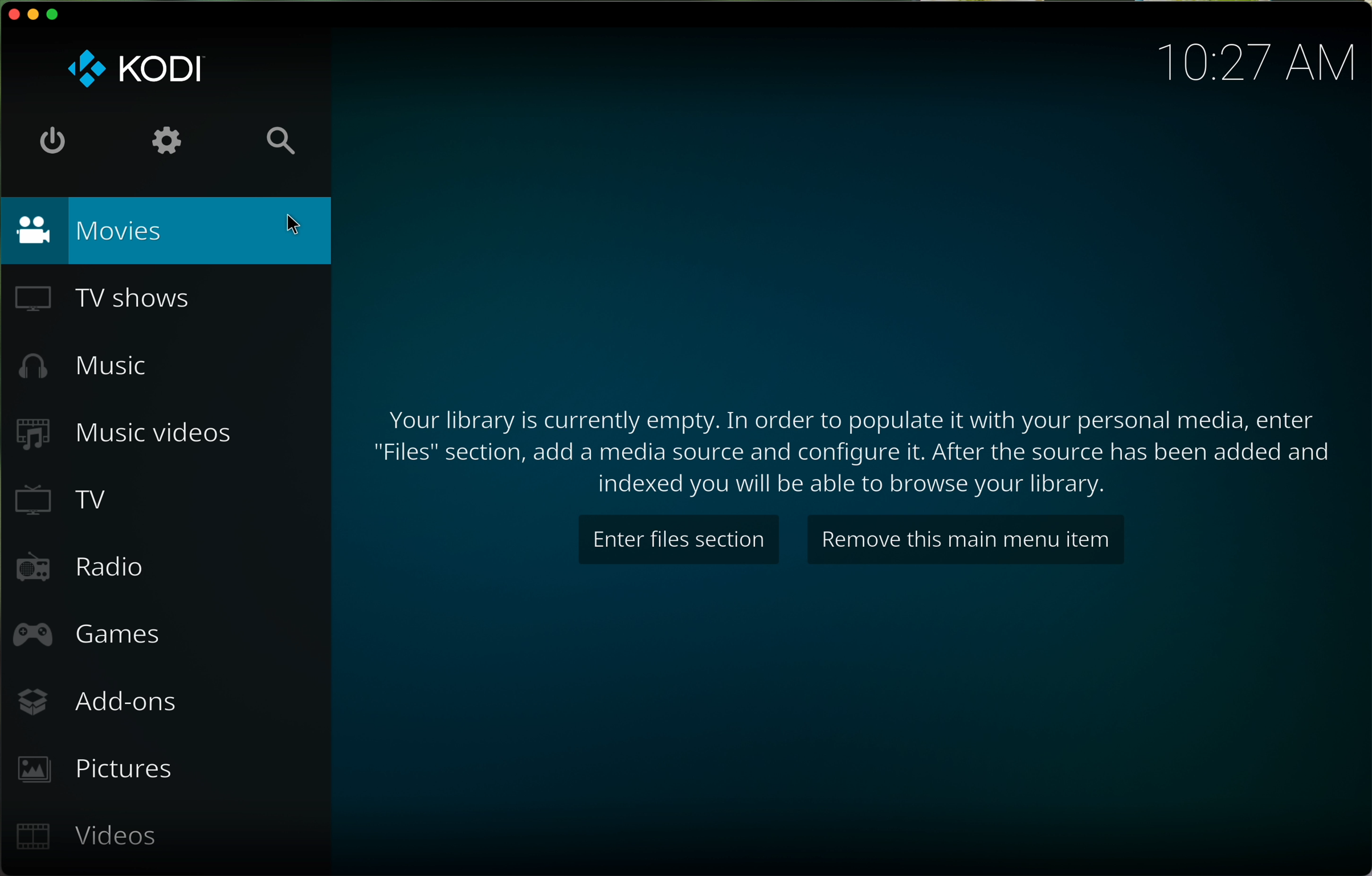 The image size is (1372, 876). I want to click on pictures button, so click(96, 767).